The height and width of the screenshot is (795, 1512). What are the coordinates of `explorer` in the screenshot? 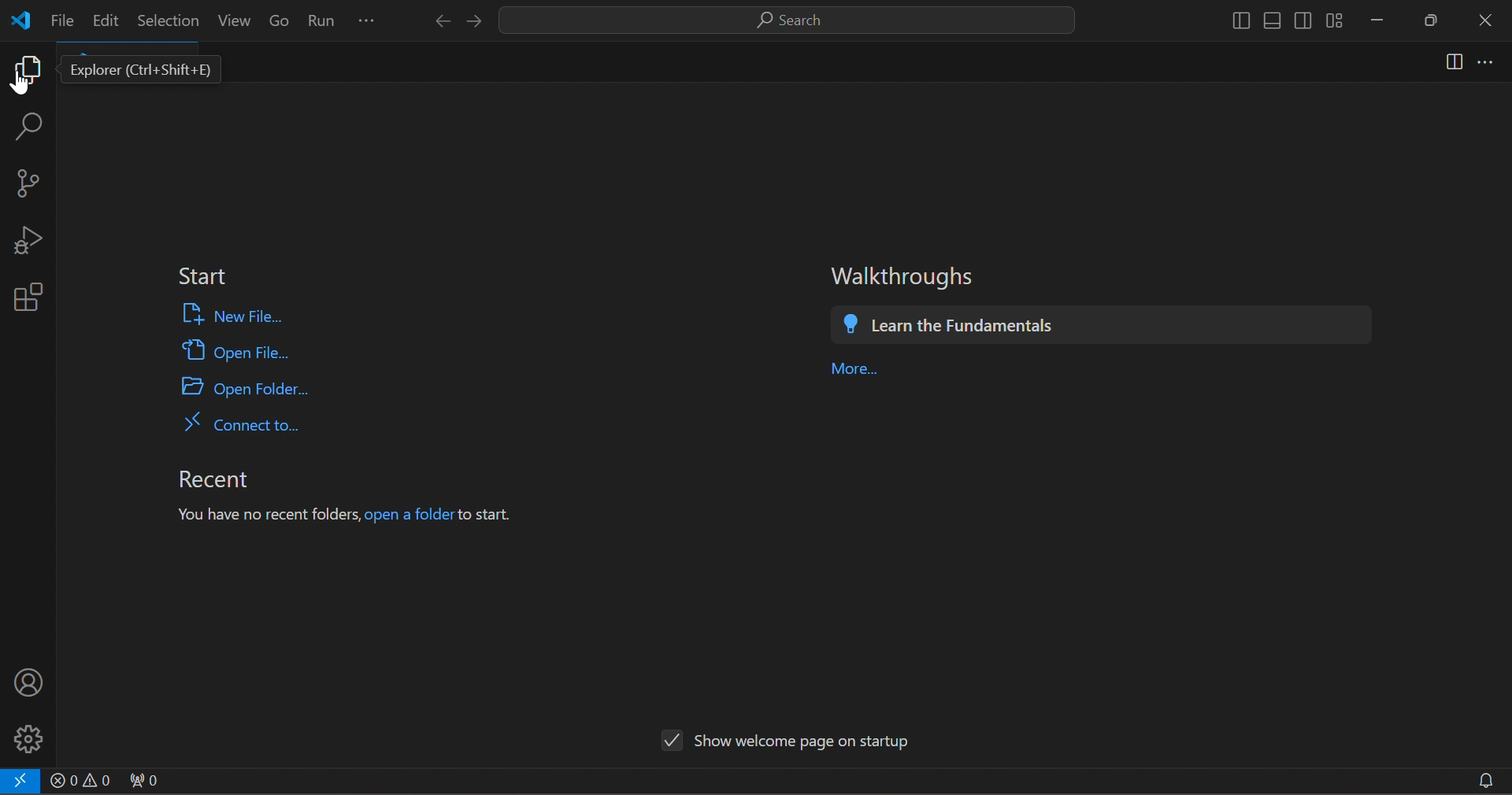 It's located at (148, 72).